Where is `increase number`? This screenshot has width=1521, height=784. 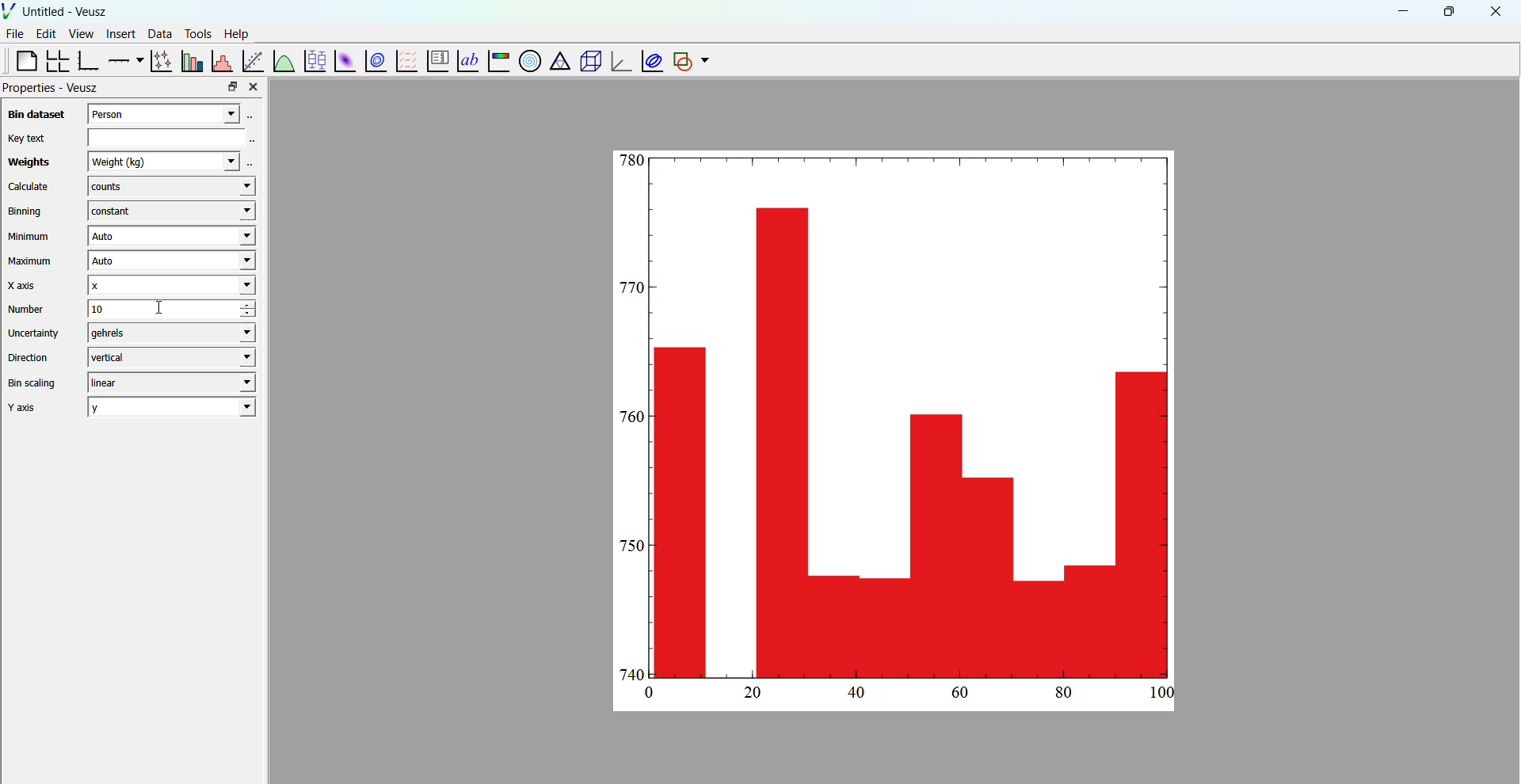
increase number is located at coordinates (259, 305).